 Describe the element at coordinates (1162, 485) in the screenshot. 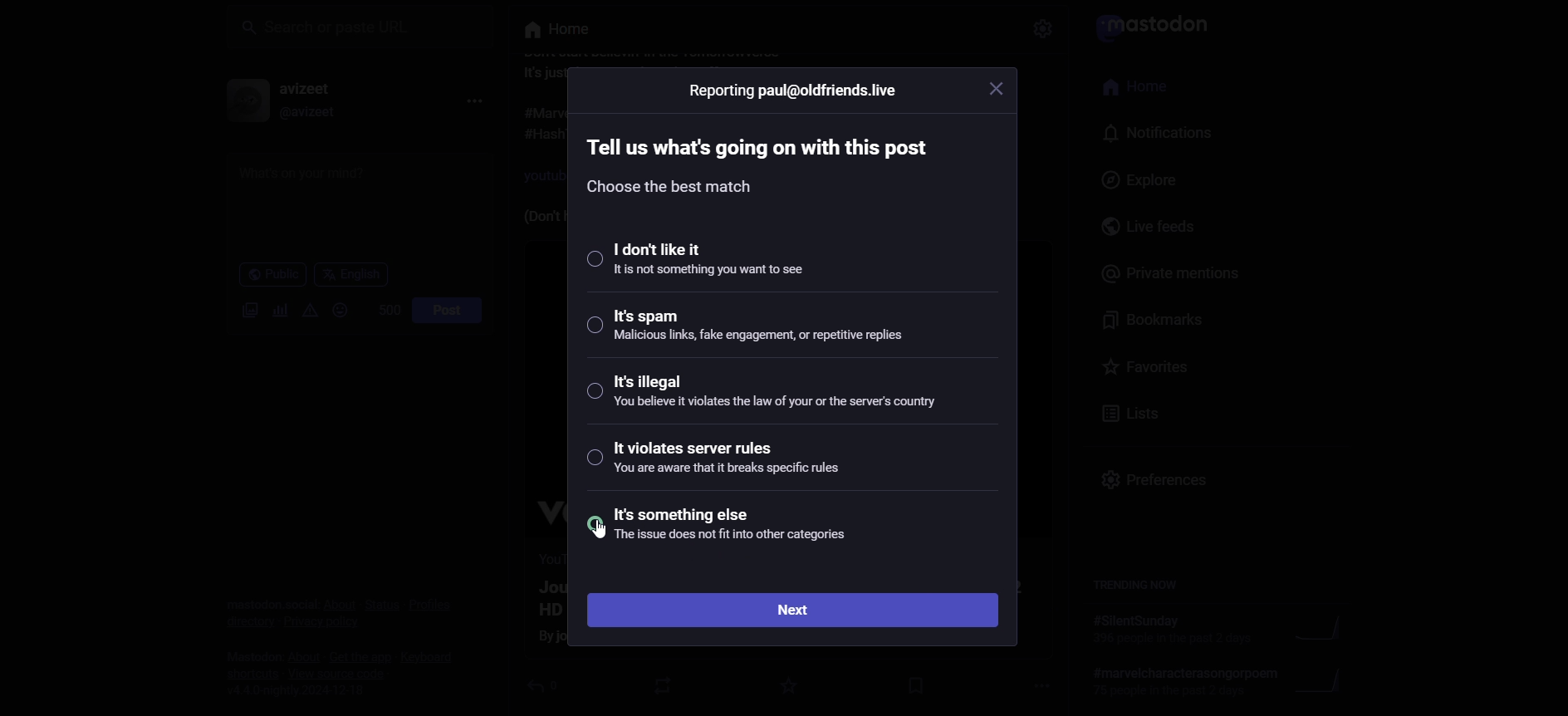

I see `preferences` at that location.